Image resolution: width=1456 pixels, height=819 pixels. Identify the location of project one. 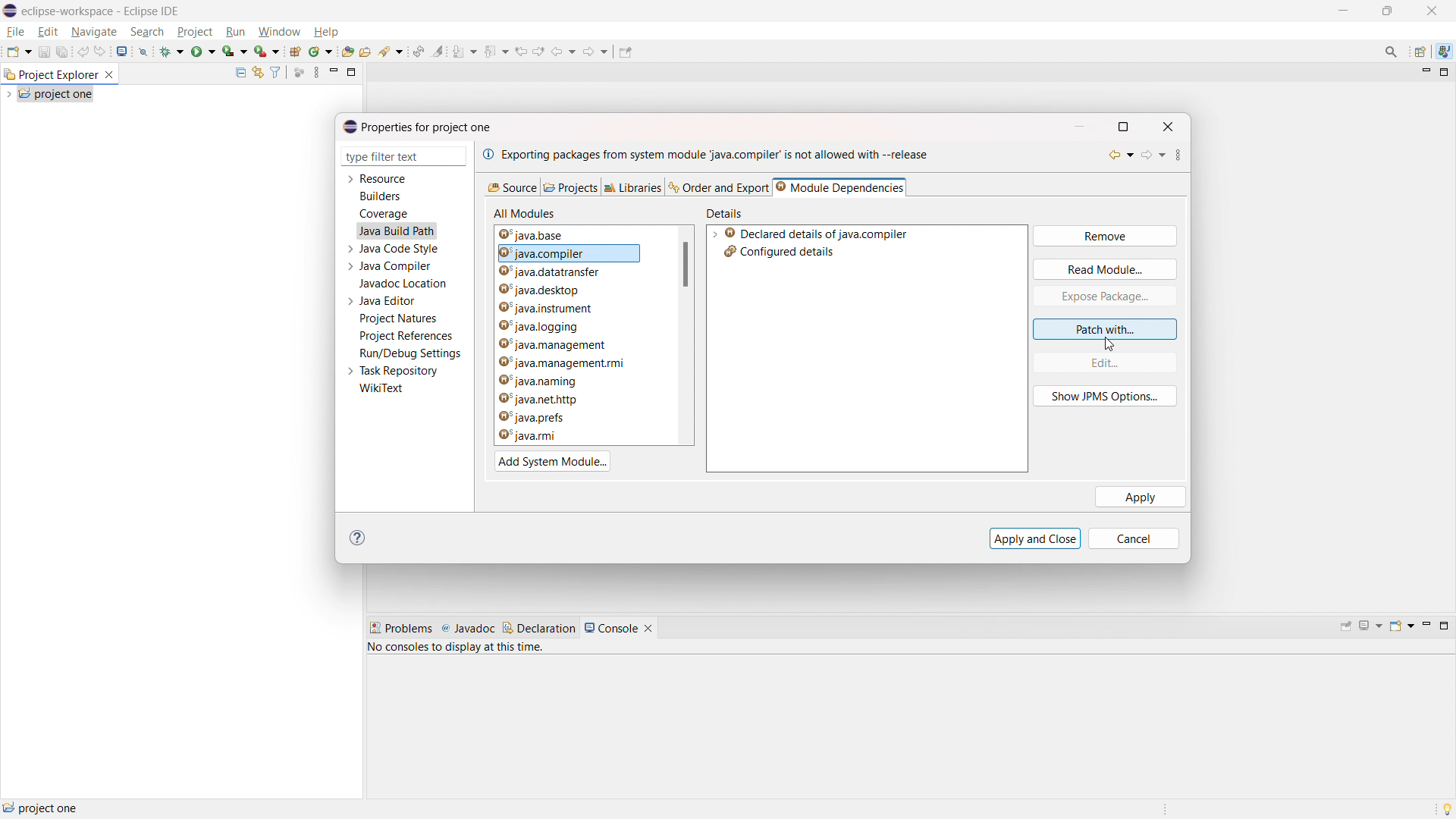
(42, 808).